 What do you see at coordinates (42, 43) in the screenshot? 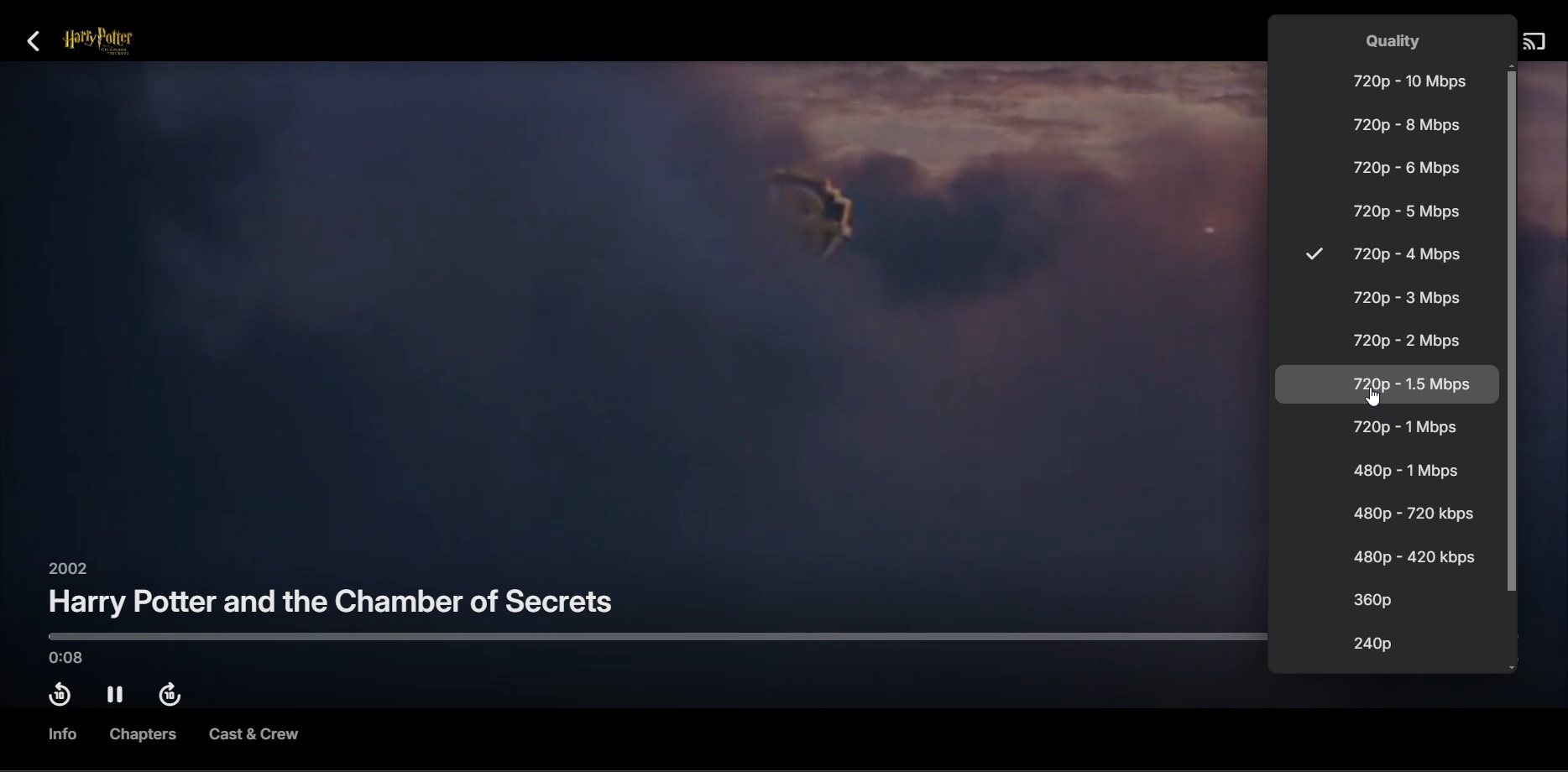
I see `Back` at bounding box center [42, 43].